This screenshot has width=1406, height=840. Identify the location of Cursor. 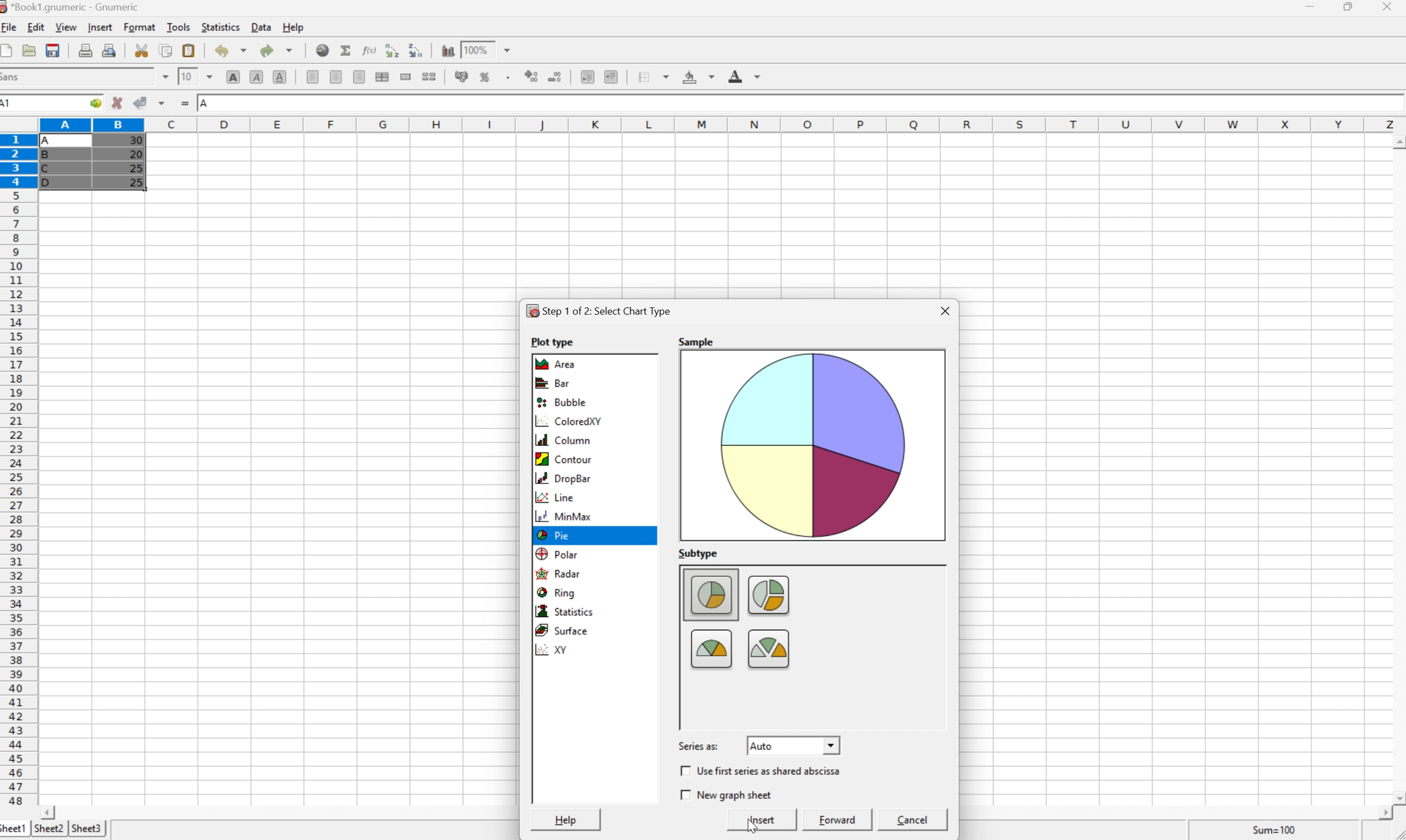
(747, 824).